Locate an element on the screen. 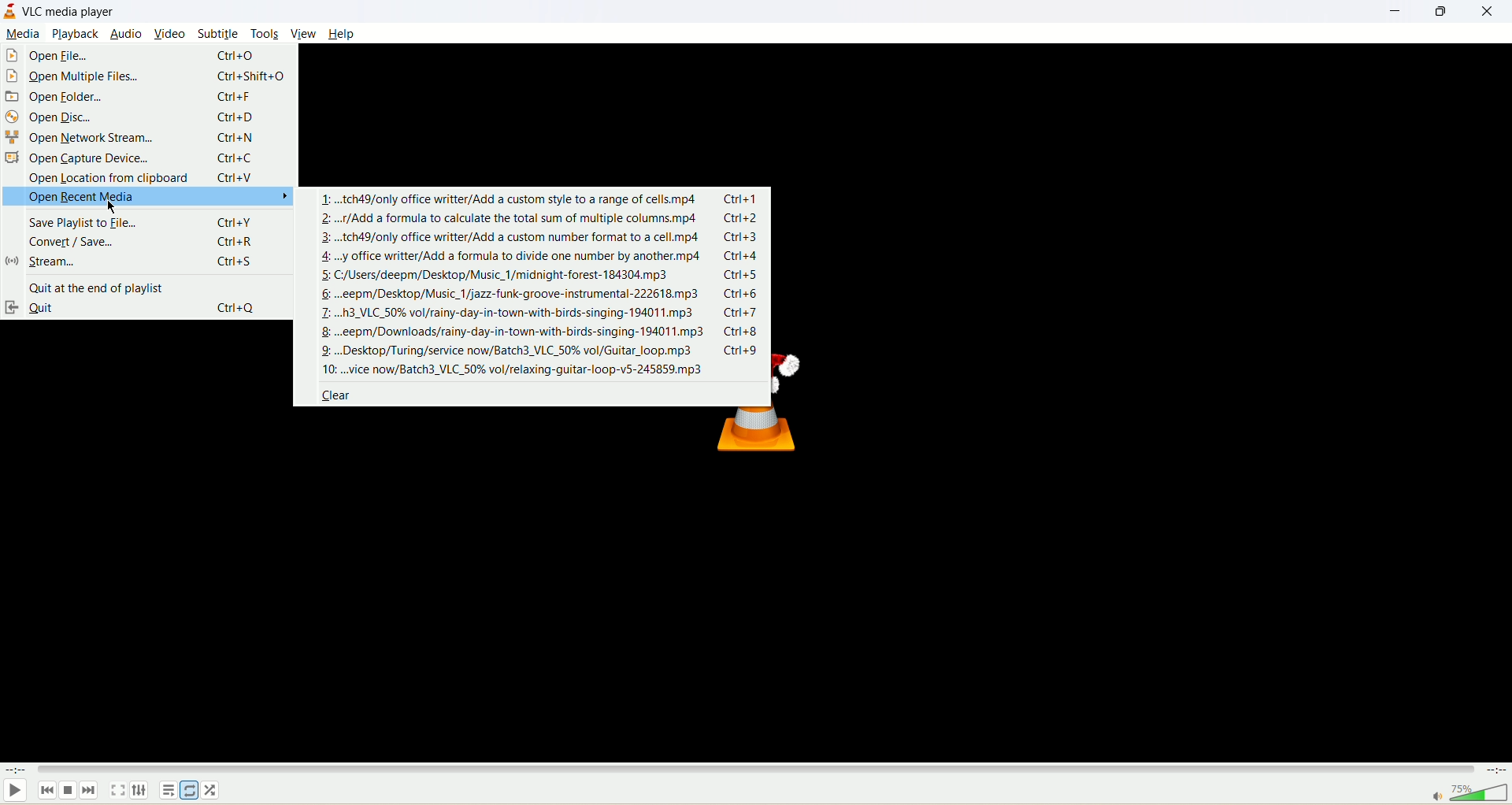  audio is located at coordinates (127, 34).